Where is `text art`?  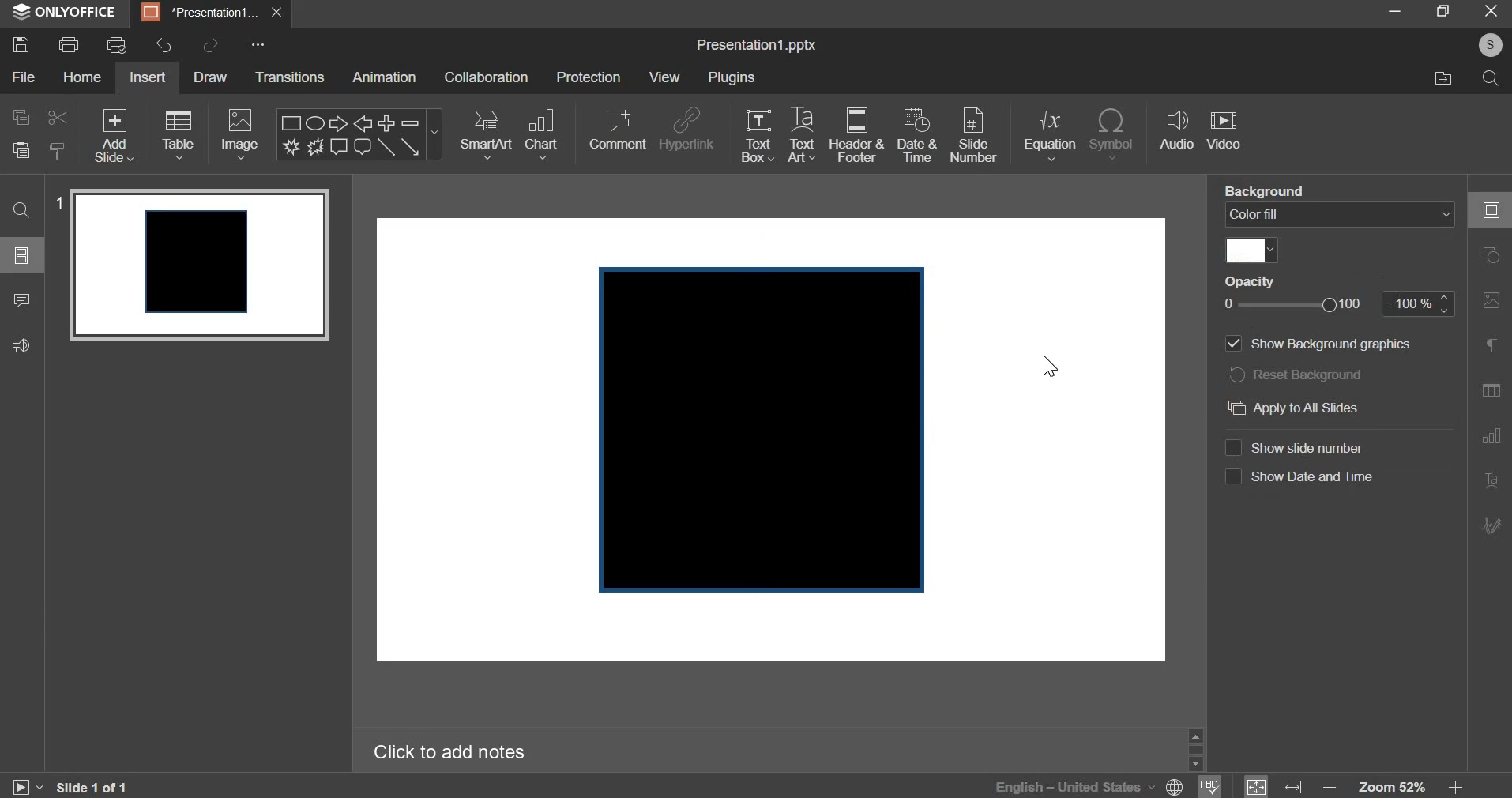 text art is located at coordinates (802, 137).